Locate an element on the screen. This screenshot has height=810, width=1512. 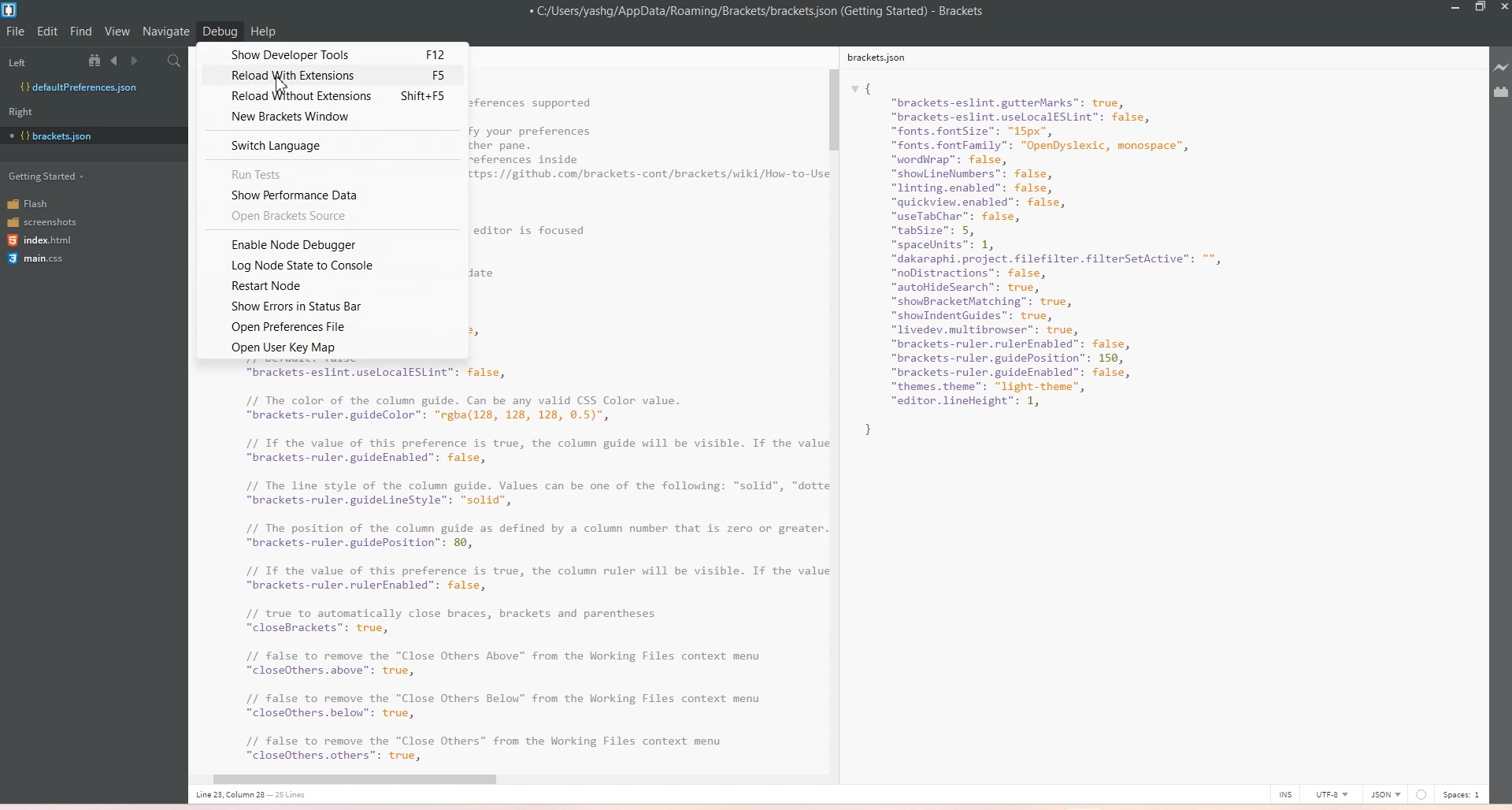
Switch language is located at coordinates (335, 145).